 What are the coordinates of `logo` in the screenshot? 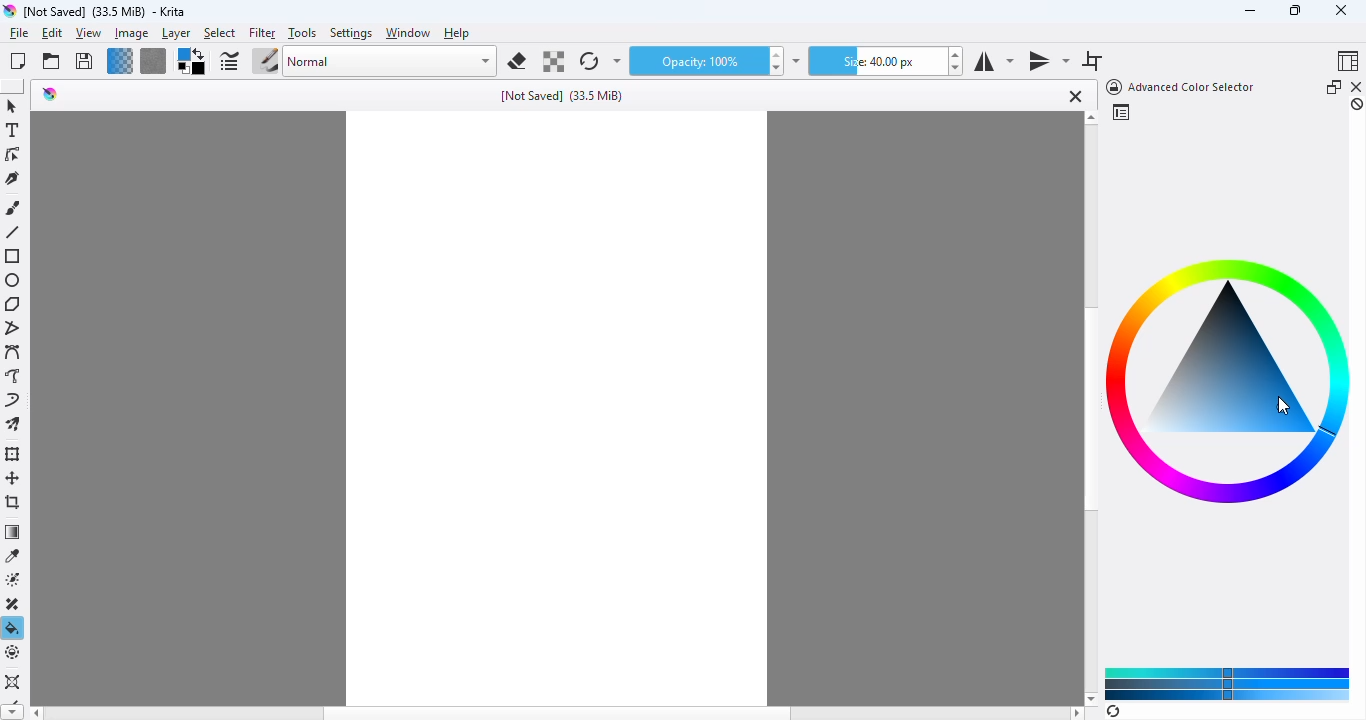 It's located at (50, 94).